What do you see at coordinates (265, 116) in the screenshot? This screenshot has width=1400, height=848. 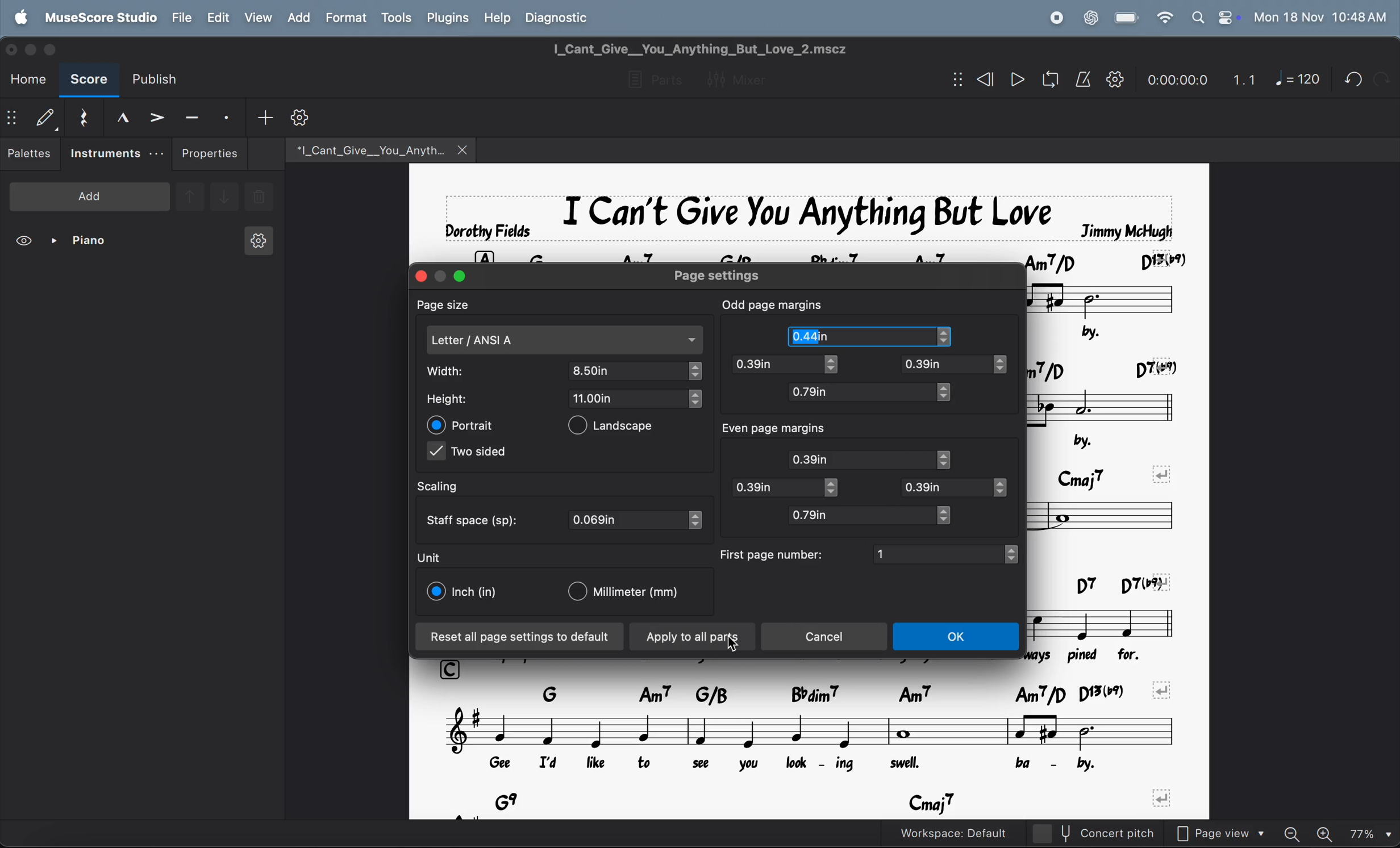 I see `add` at bounding box center [265, 116].